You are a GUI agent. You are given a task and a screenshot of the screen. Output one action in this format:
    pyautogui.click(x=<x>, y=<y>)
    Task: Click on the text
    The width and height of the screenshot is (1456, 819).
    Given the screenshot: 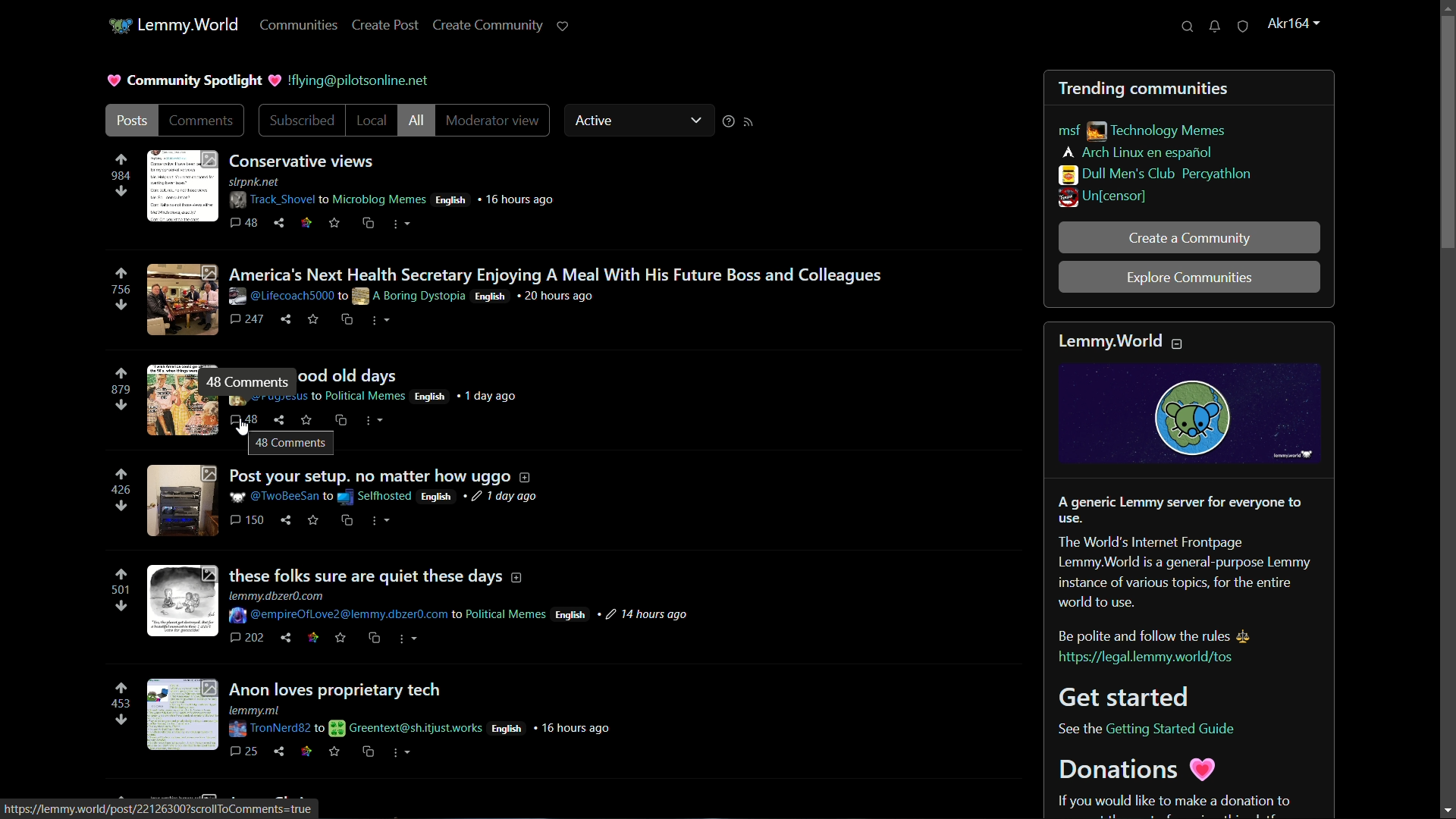 What is the action you would take?
    pyautogui.click(x=360, y=80)
    